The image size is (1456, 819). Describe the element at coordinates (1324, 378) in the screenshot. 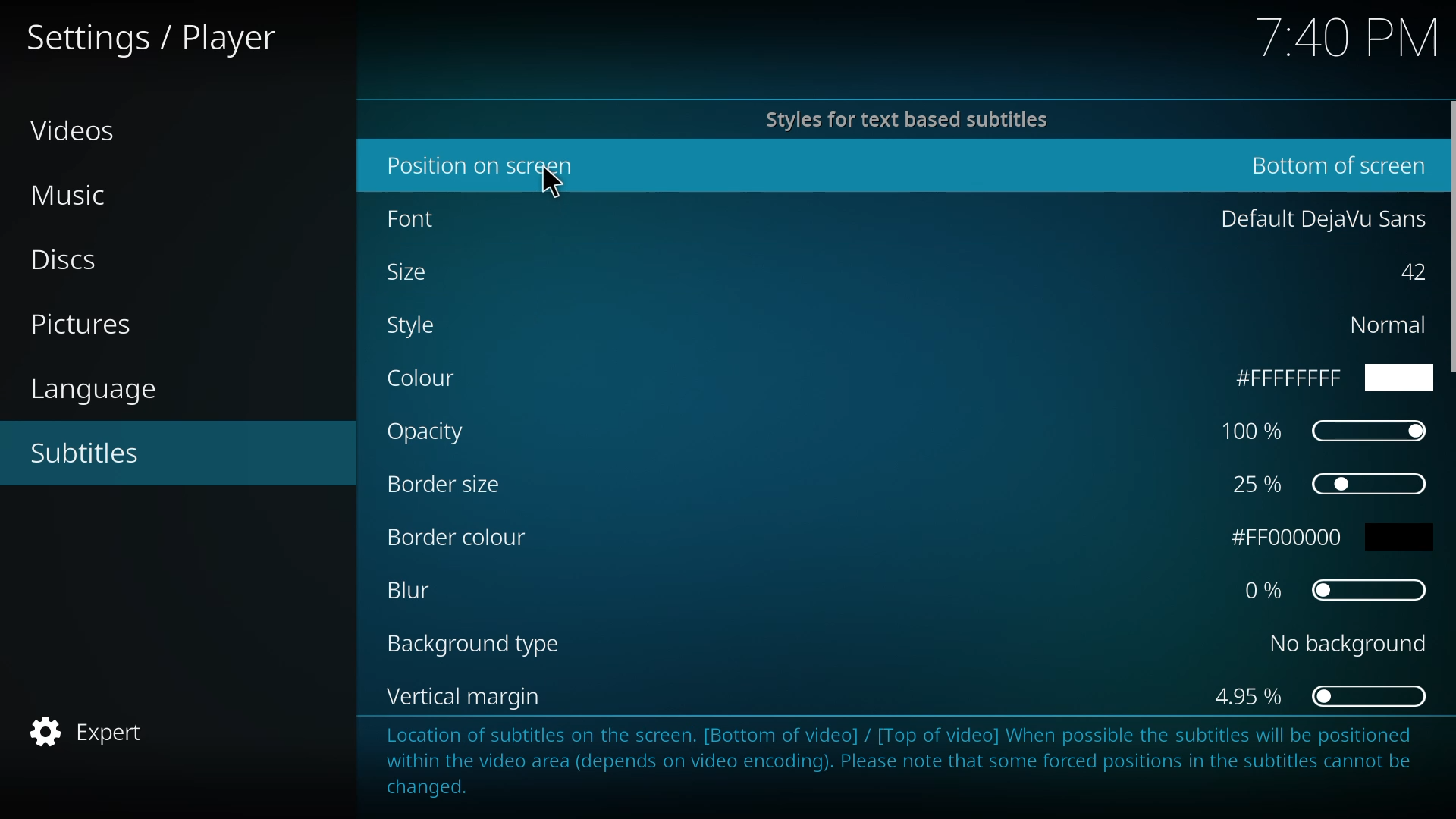

I see `ffff` at that location.